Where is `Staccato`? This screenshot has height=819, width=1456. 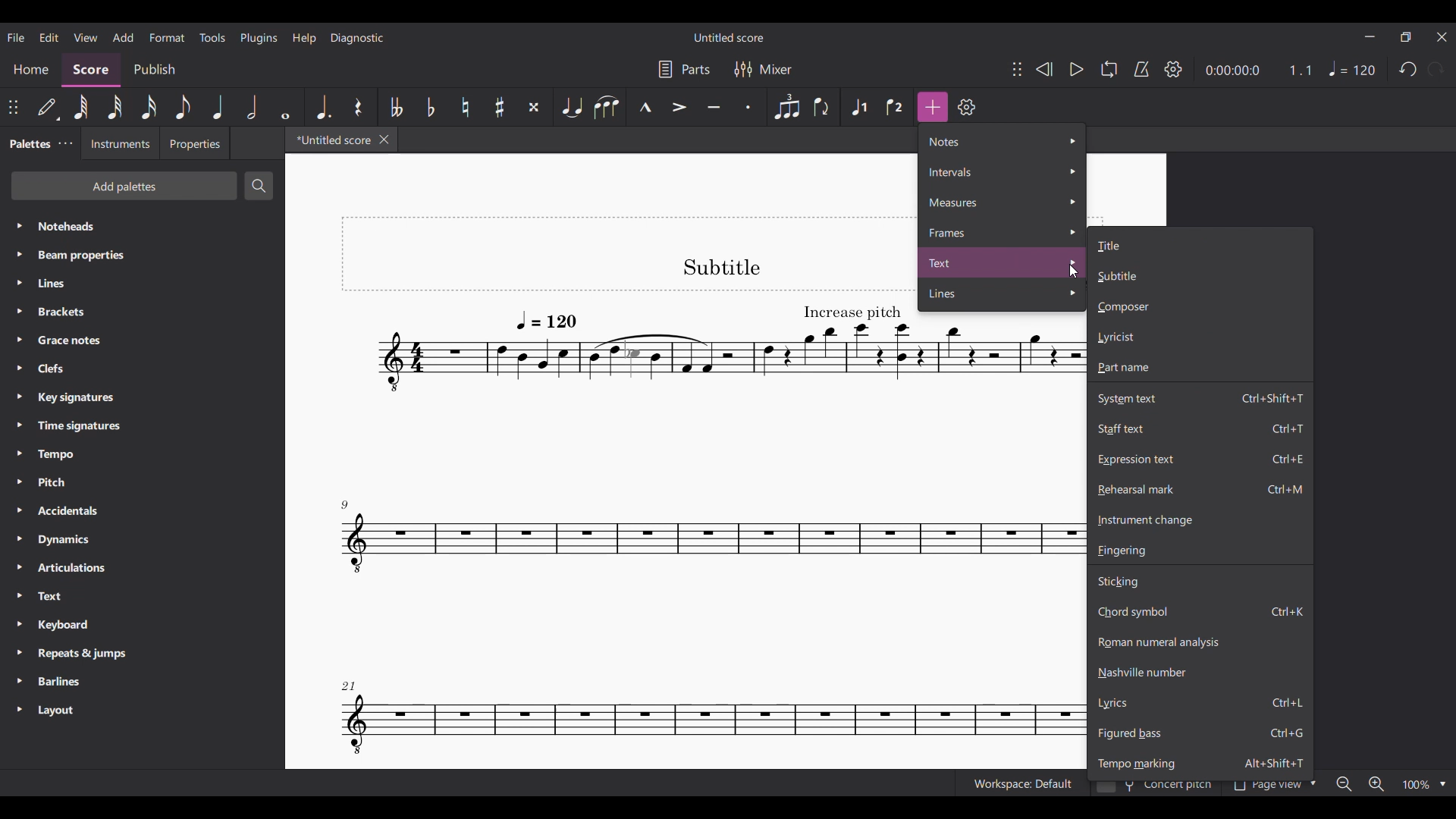 Staccato is located at coordinates (751, 107).